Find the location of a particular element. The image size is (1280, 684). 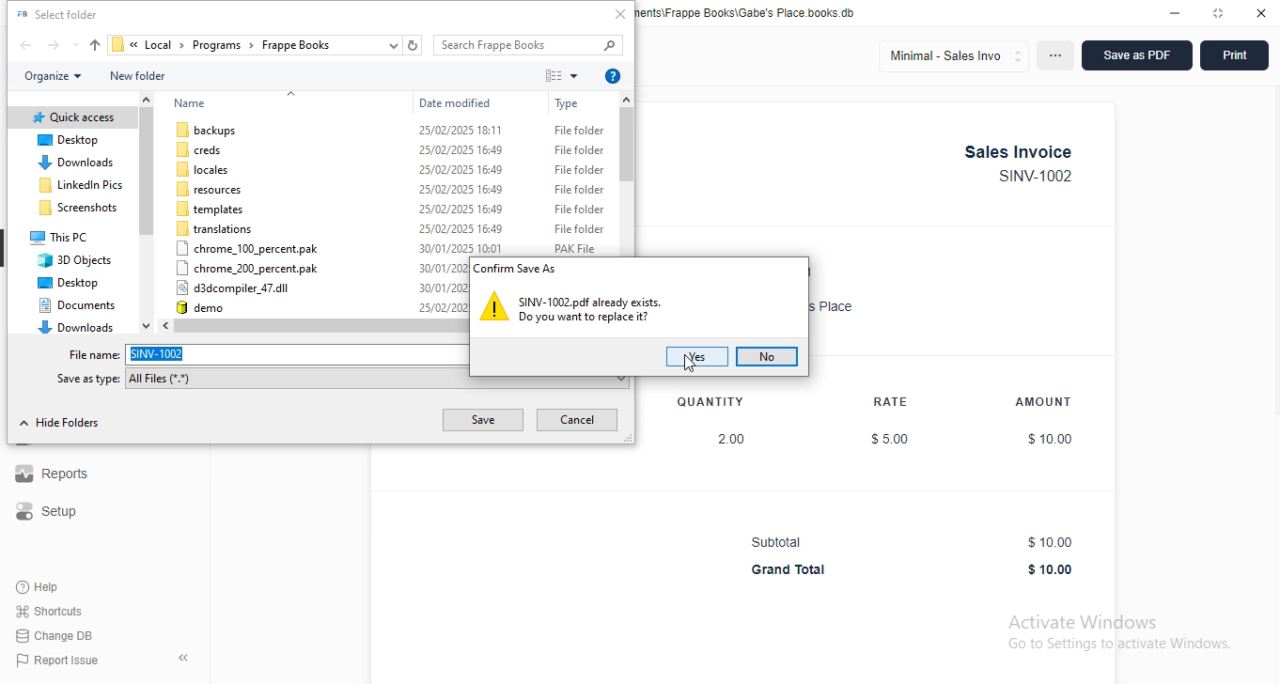

confirm save as is located at coordinates (517, 268).